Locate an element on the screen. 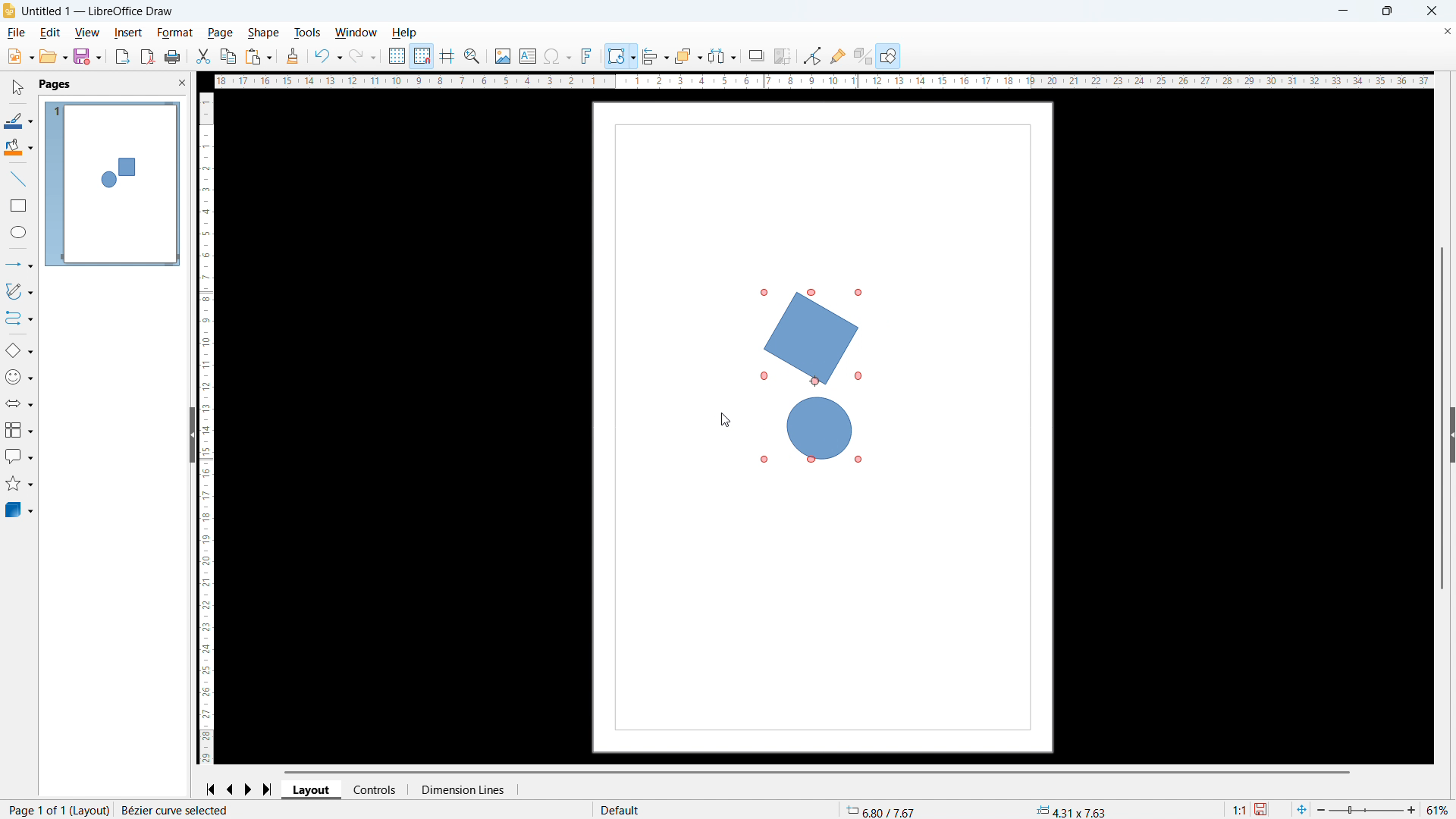  file  is located at coordinates (17, 33).